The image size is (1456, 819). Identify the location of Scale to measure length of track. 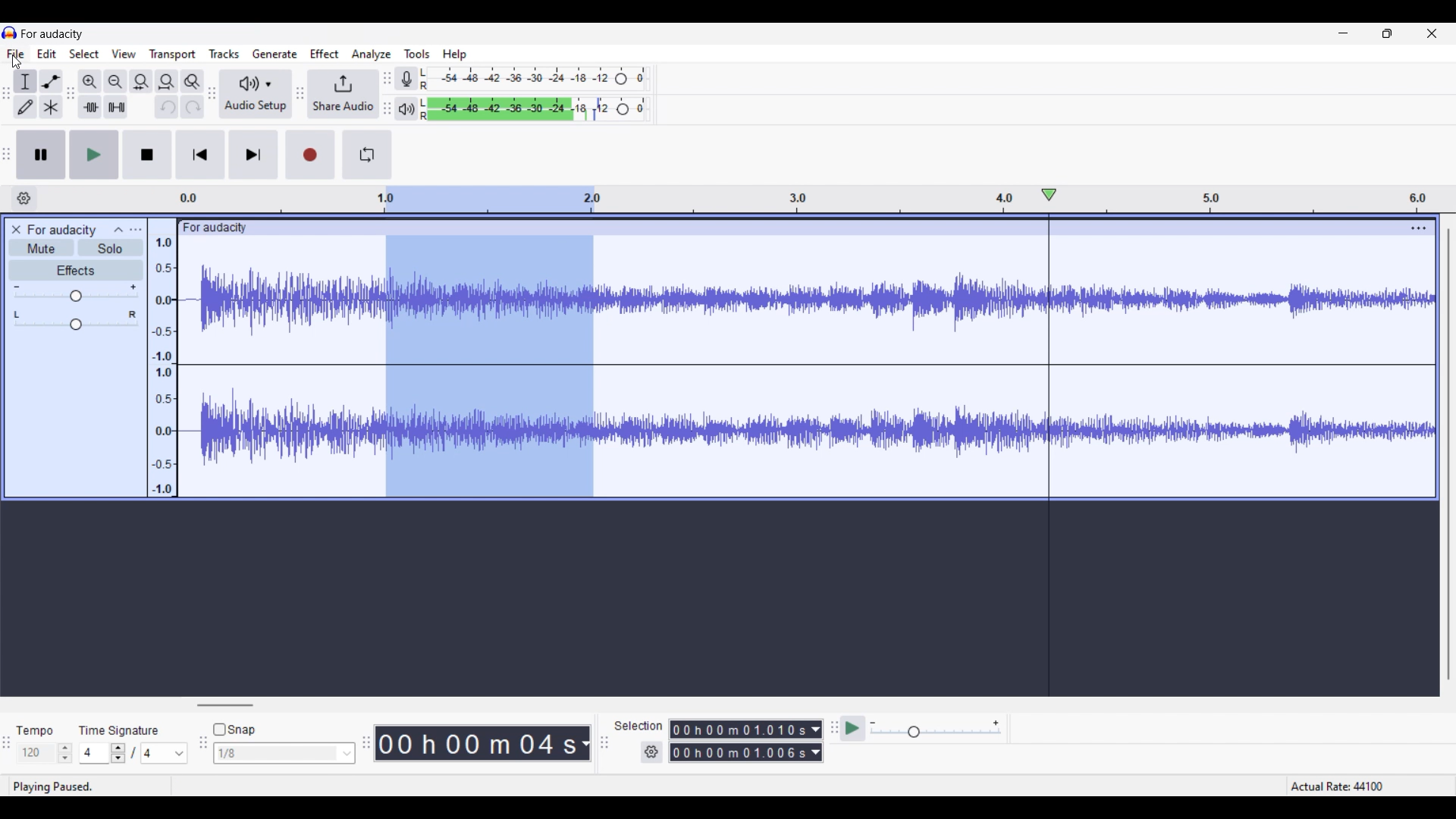
(1258, 199).